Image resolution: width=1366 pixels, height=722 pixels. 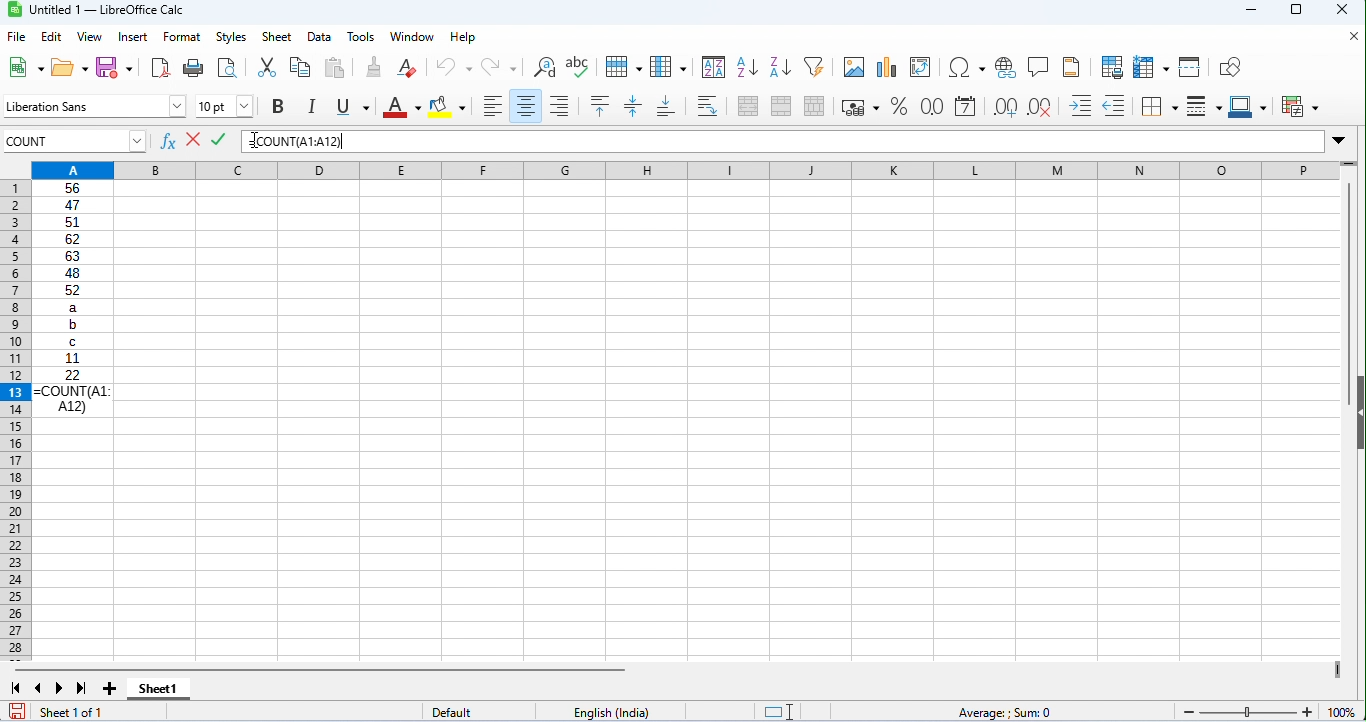 I want to click on sheet, so click(x=277, y=36).